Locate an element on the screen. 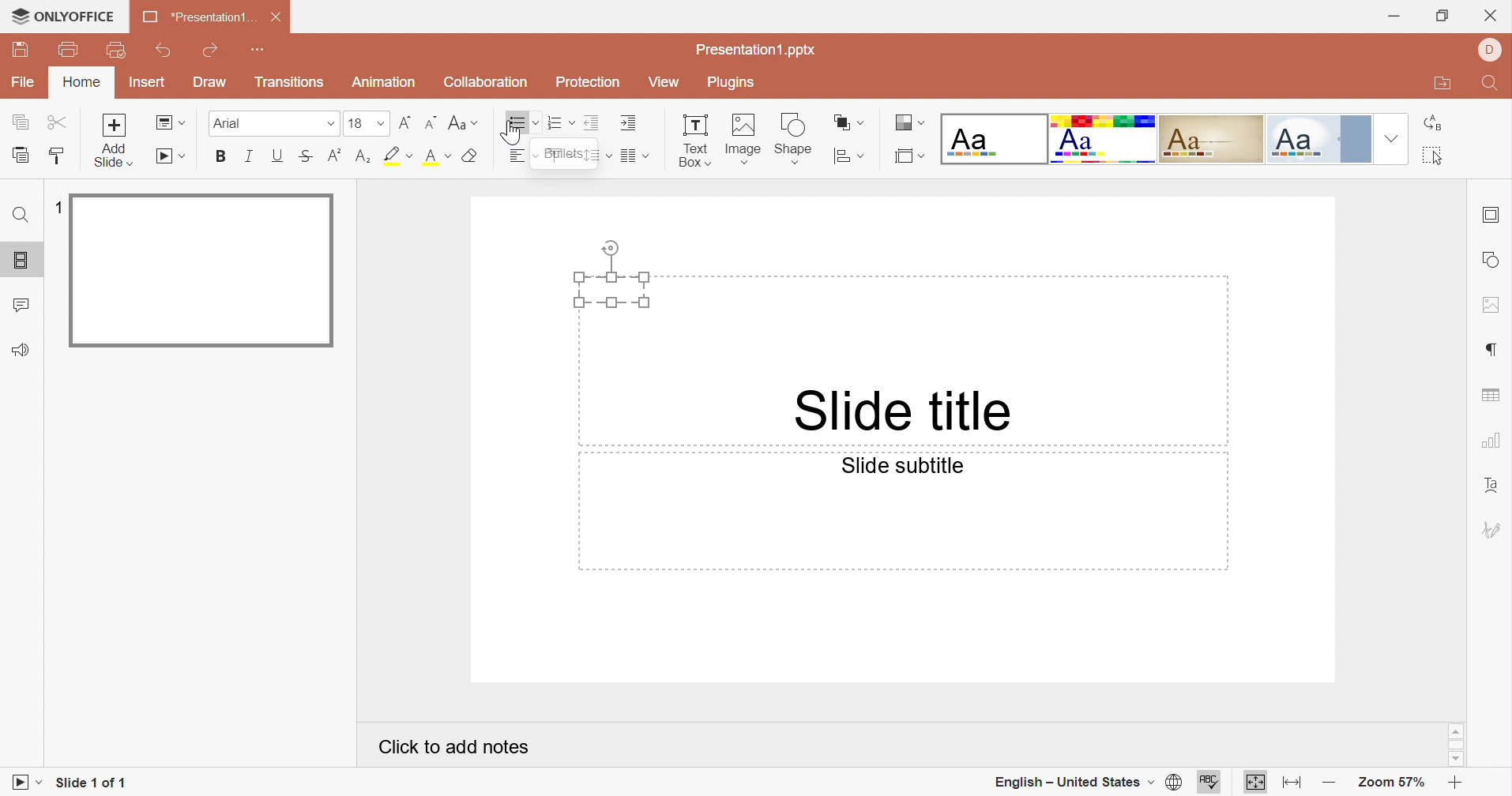 Image resolution: width=1512 pixels, height=796 pixels. Horizontal align is located at coordinates (518, 156).